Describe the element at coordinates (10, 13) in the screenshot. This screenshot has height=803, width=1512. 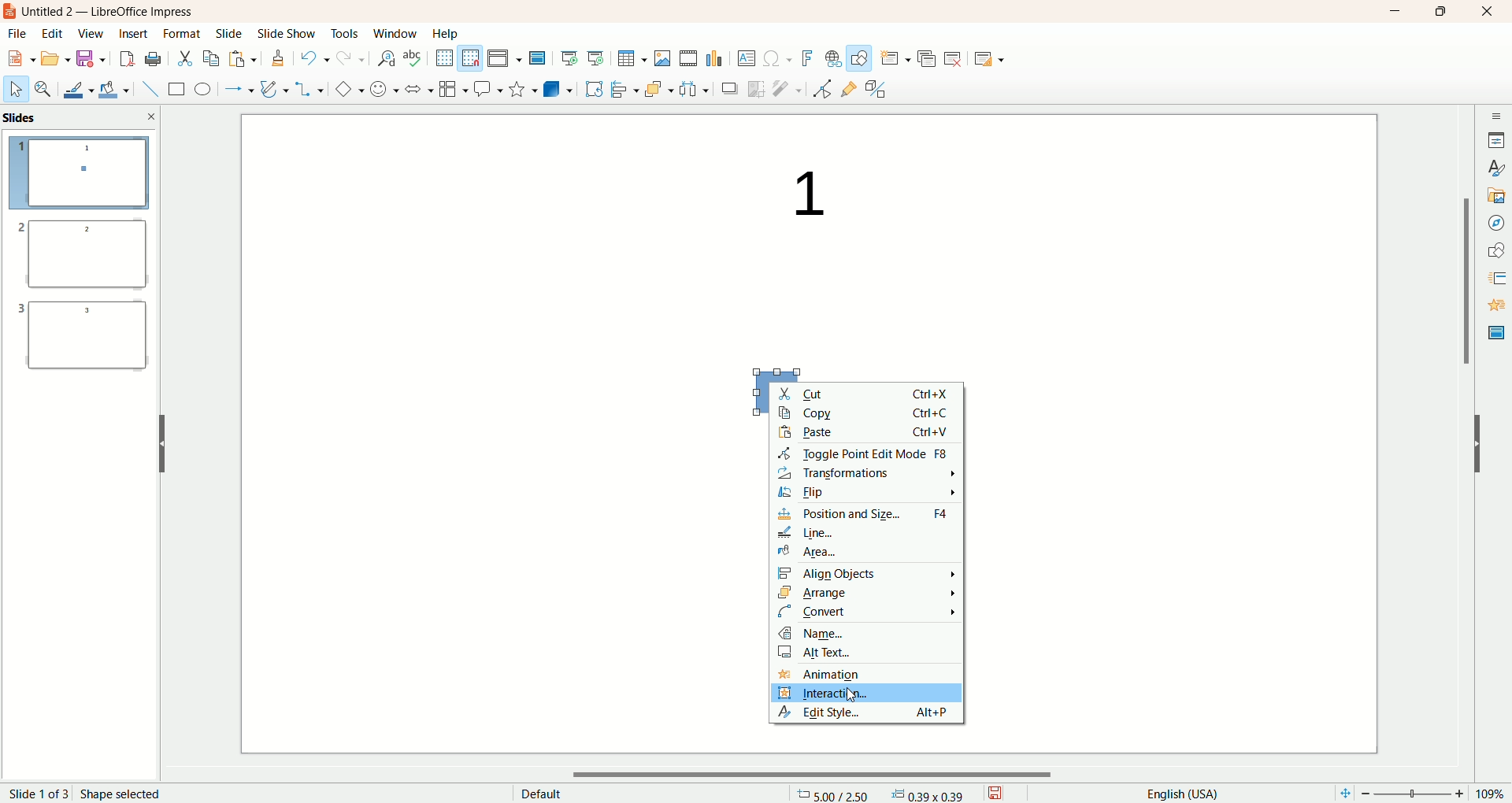
I see `logo` at that location.